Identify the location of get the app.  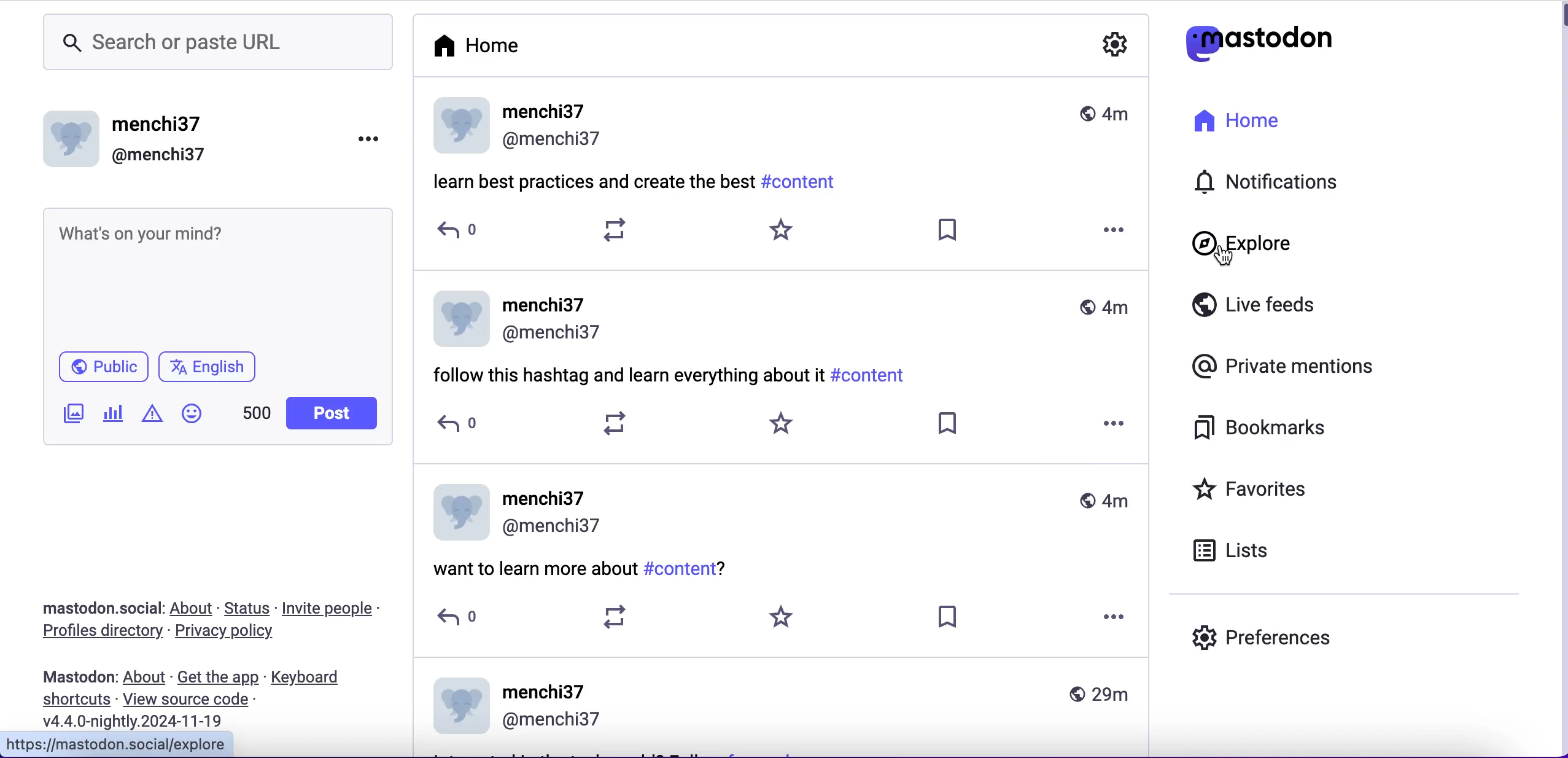
(220, 678).